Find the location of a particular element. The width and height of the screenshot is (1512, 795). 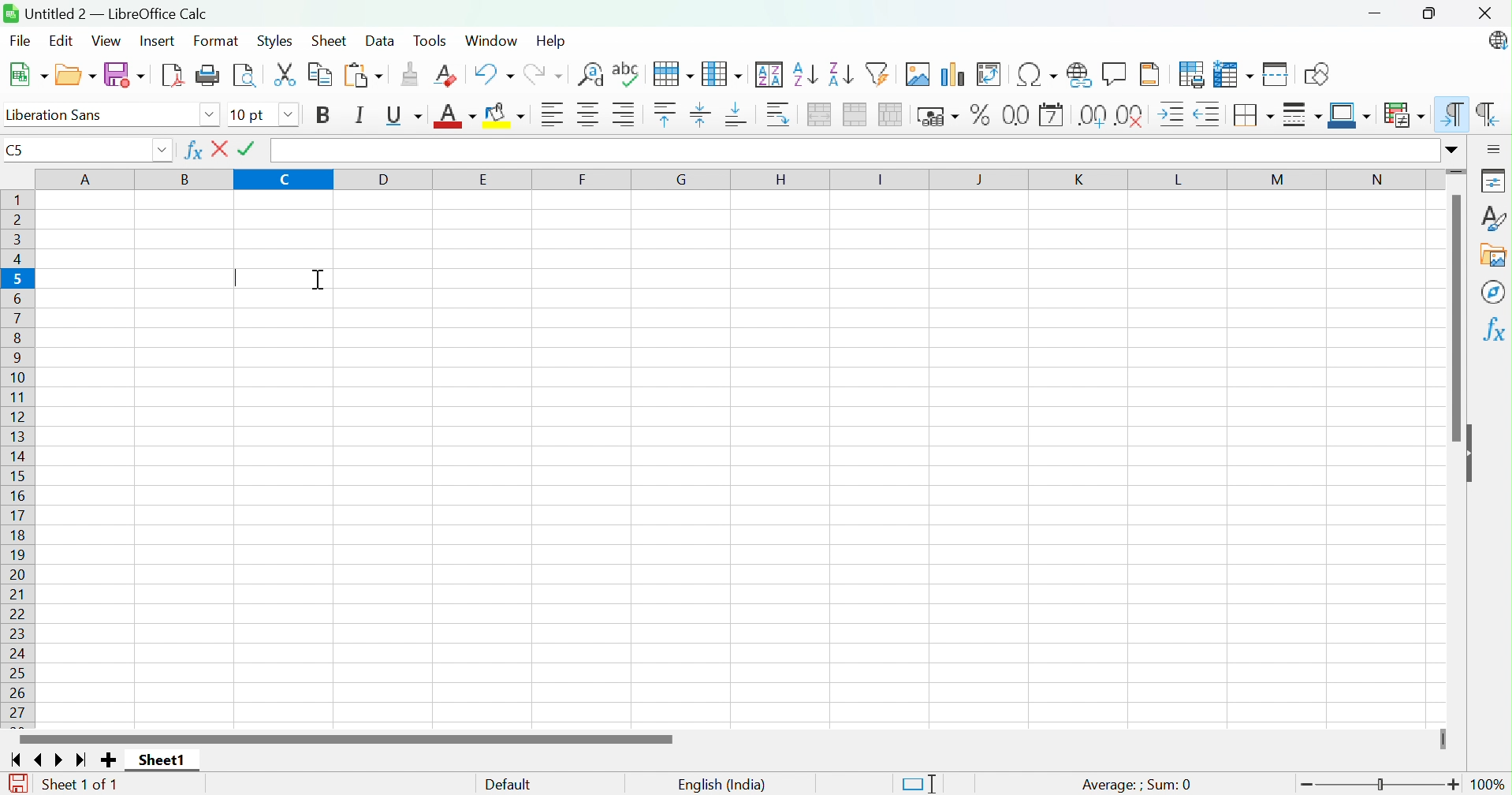

Styles is located at coordinates (1492, 218).